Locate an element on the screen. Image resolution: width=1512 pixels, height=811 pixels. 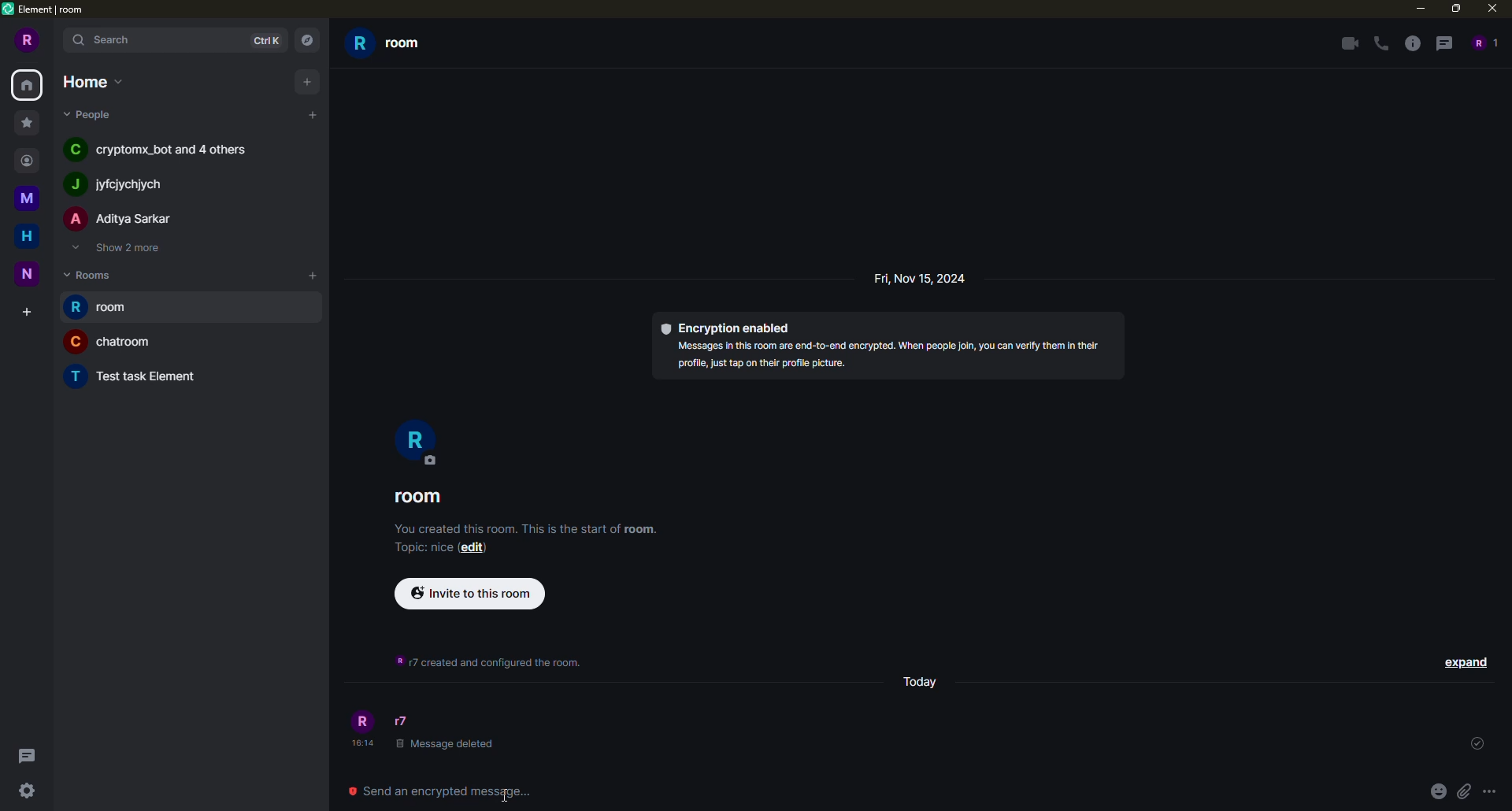
close is located at coordinates (1494, 9).